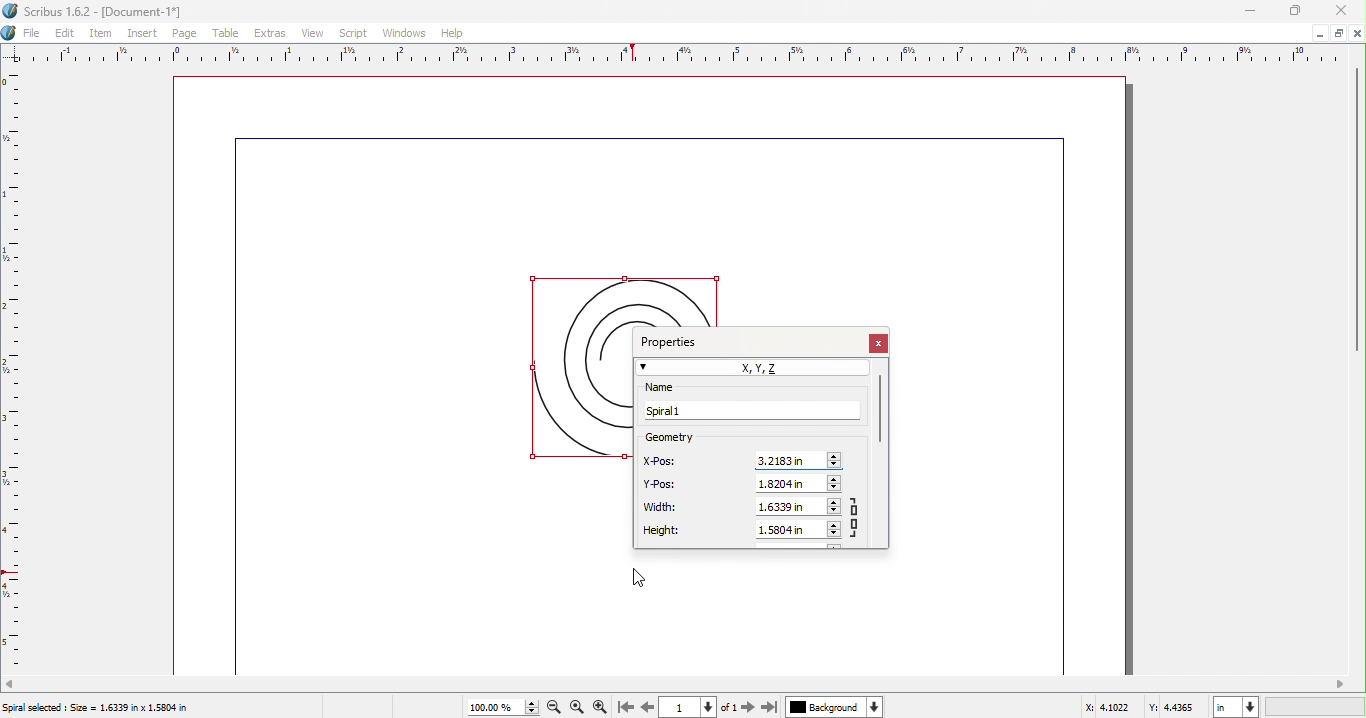 This screenshot has height=718, width=1366. What do you see at coordinates (748, 707) in the screenshot?
I see `Go to the next page` at bounding box center [748, 707].